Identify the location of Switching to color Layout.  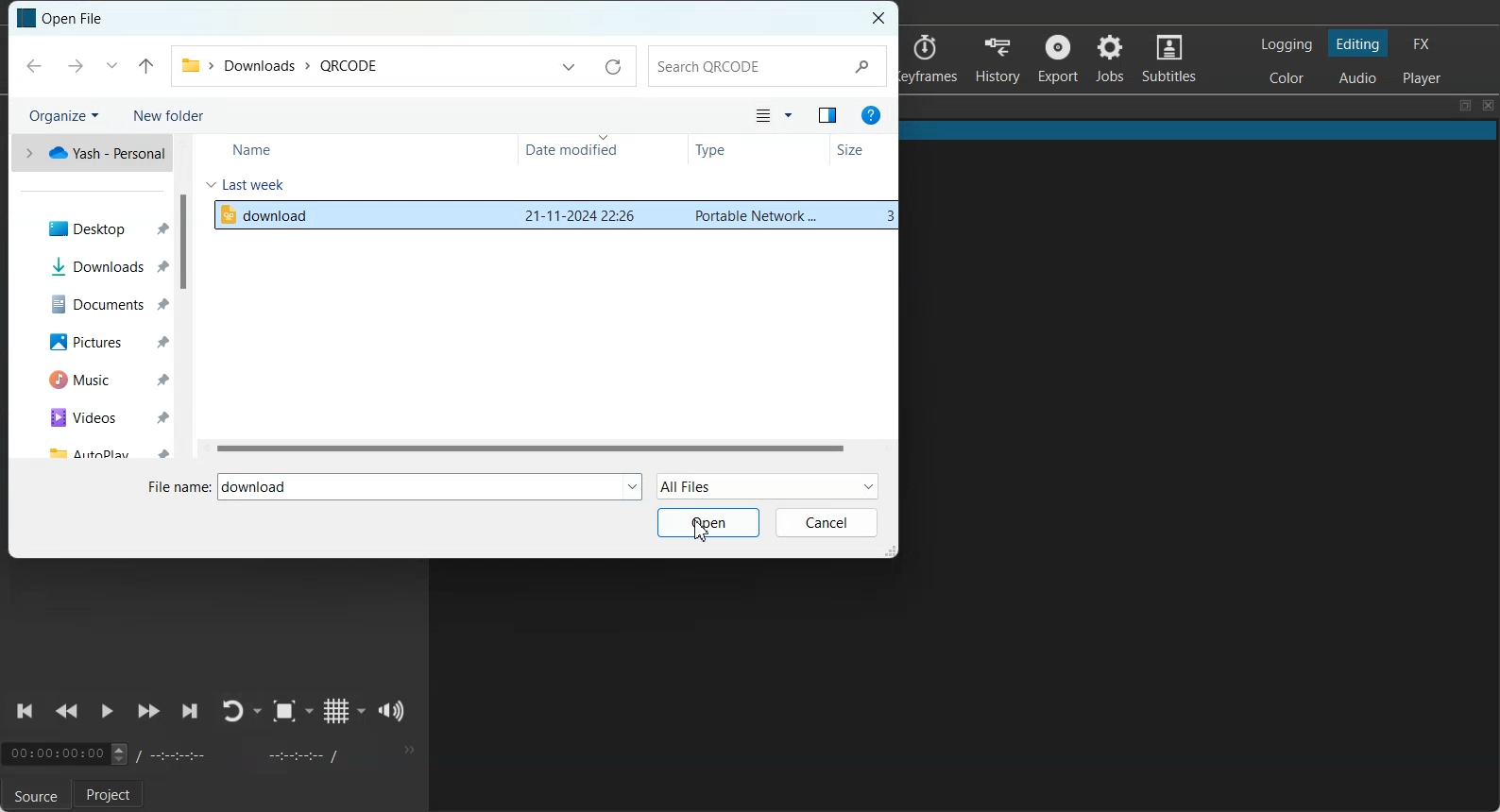
(1287, 78).